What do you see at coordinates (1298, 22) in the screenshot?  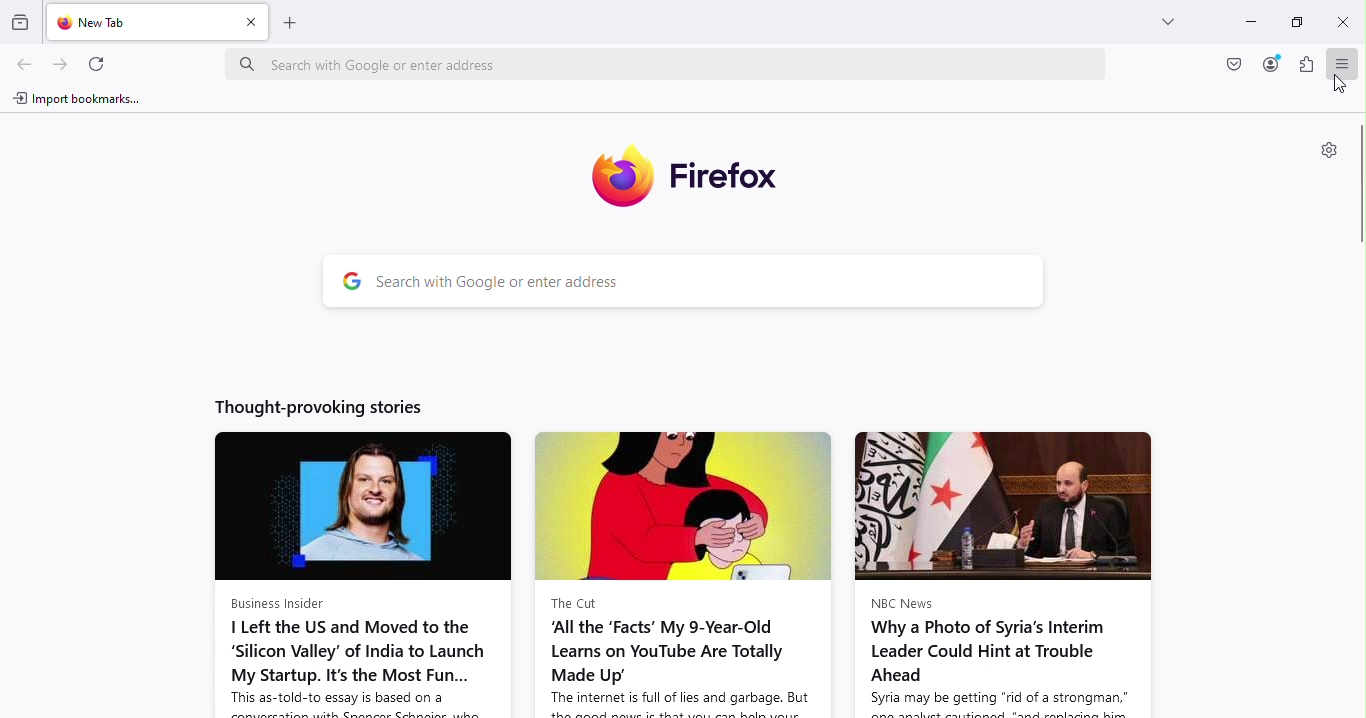 I see `Maximize` at bounding box center [1298, 22].